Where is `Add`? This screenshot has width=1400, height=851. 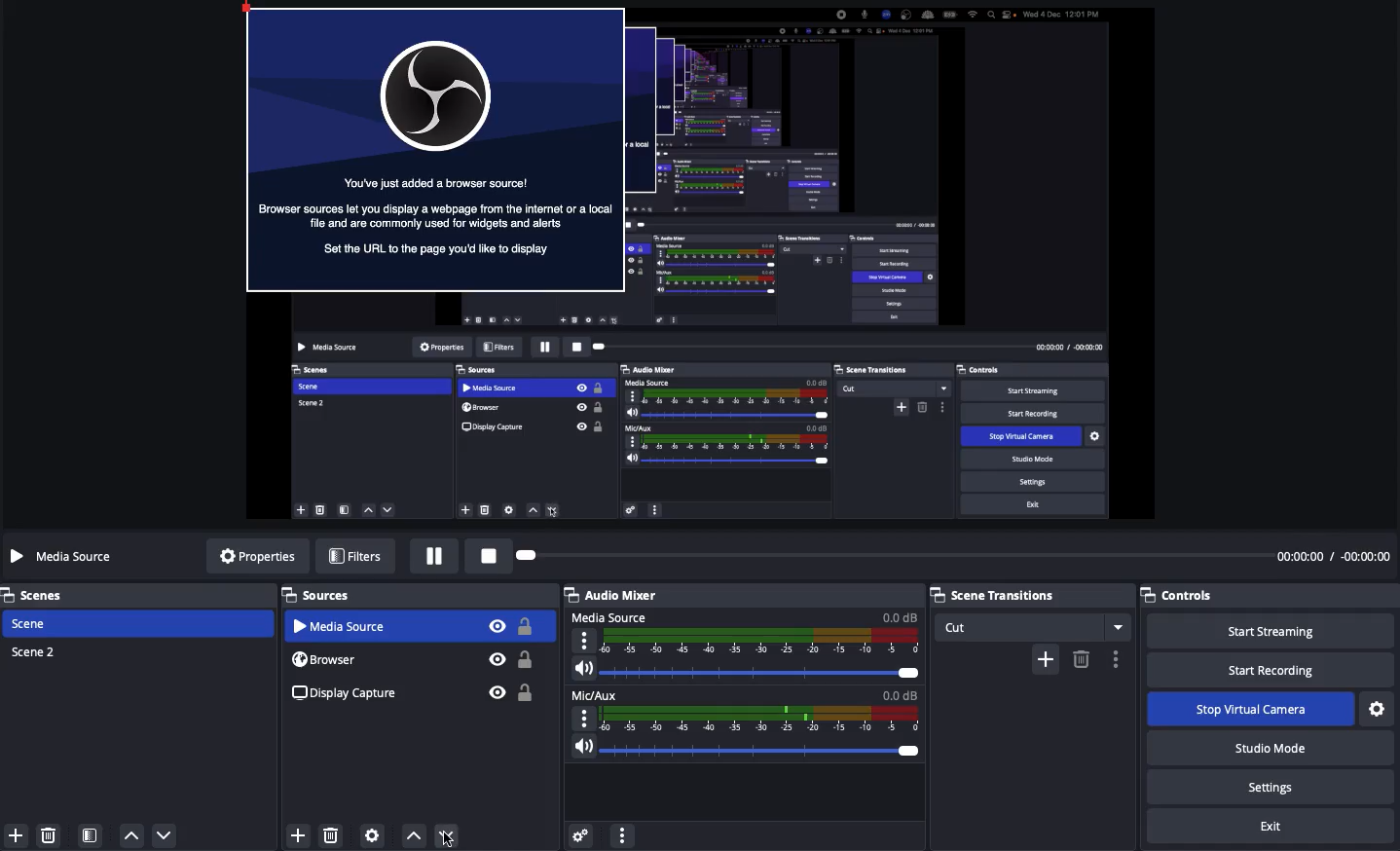 Add is located at coordinates (16, 835).